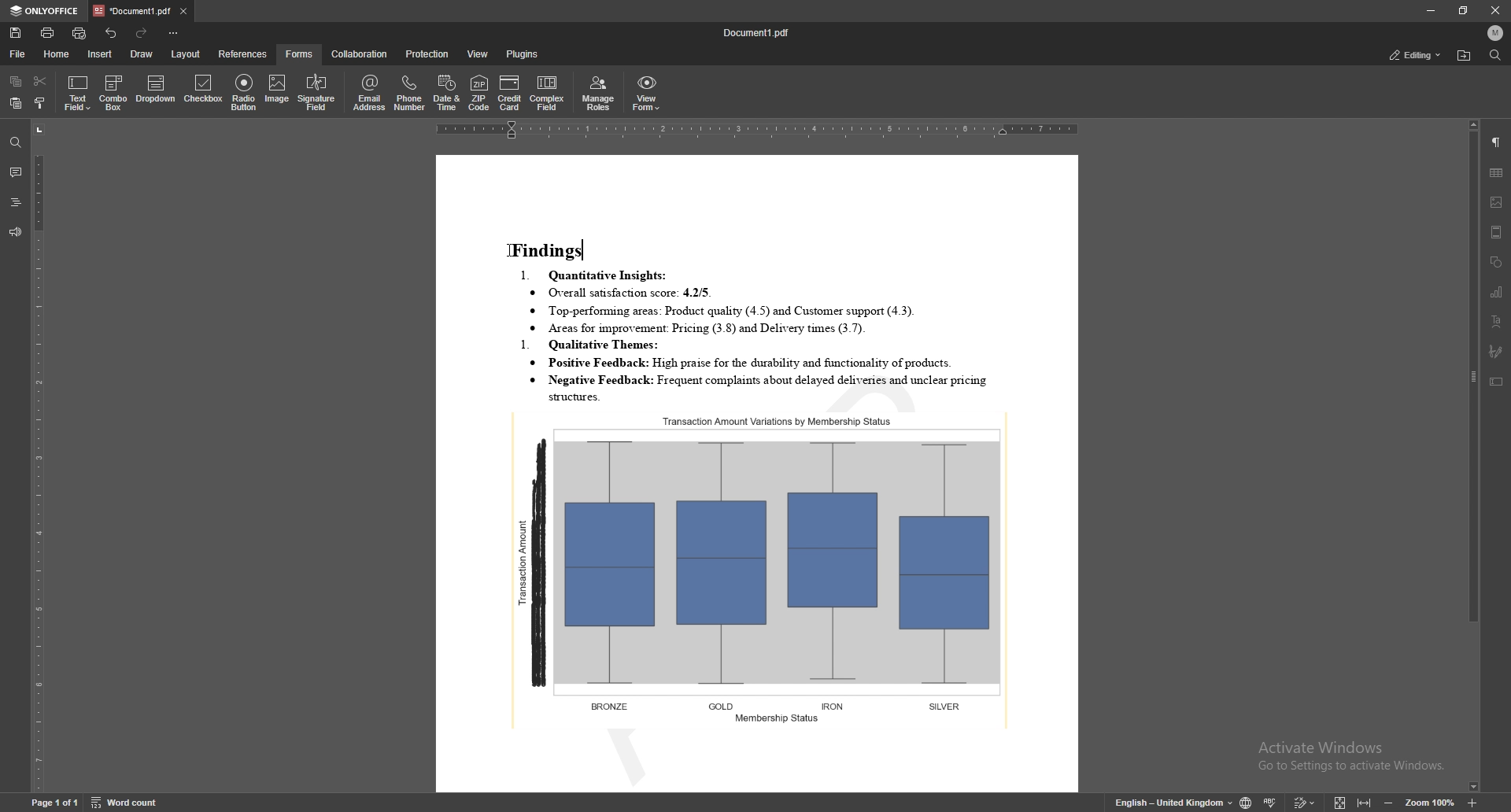 The height and width of the screenshot is (812, 1511). I want to click on collaboration, so click(361, 53).